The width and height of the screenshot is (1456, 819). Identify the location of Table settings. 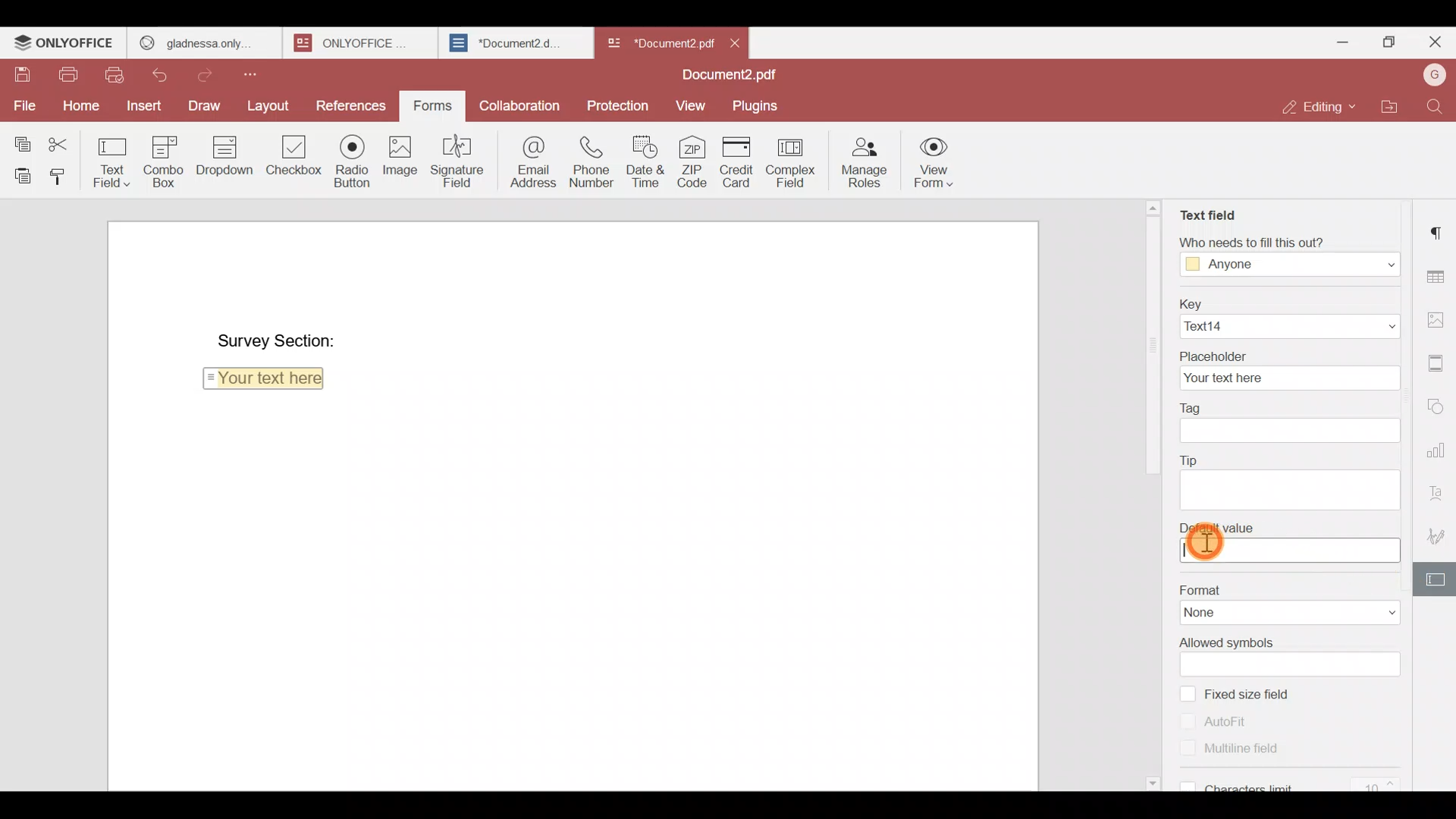
(1439, 275).